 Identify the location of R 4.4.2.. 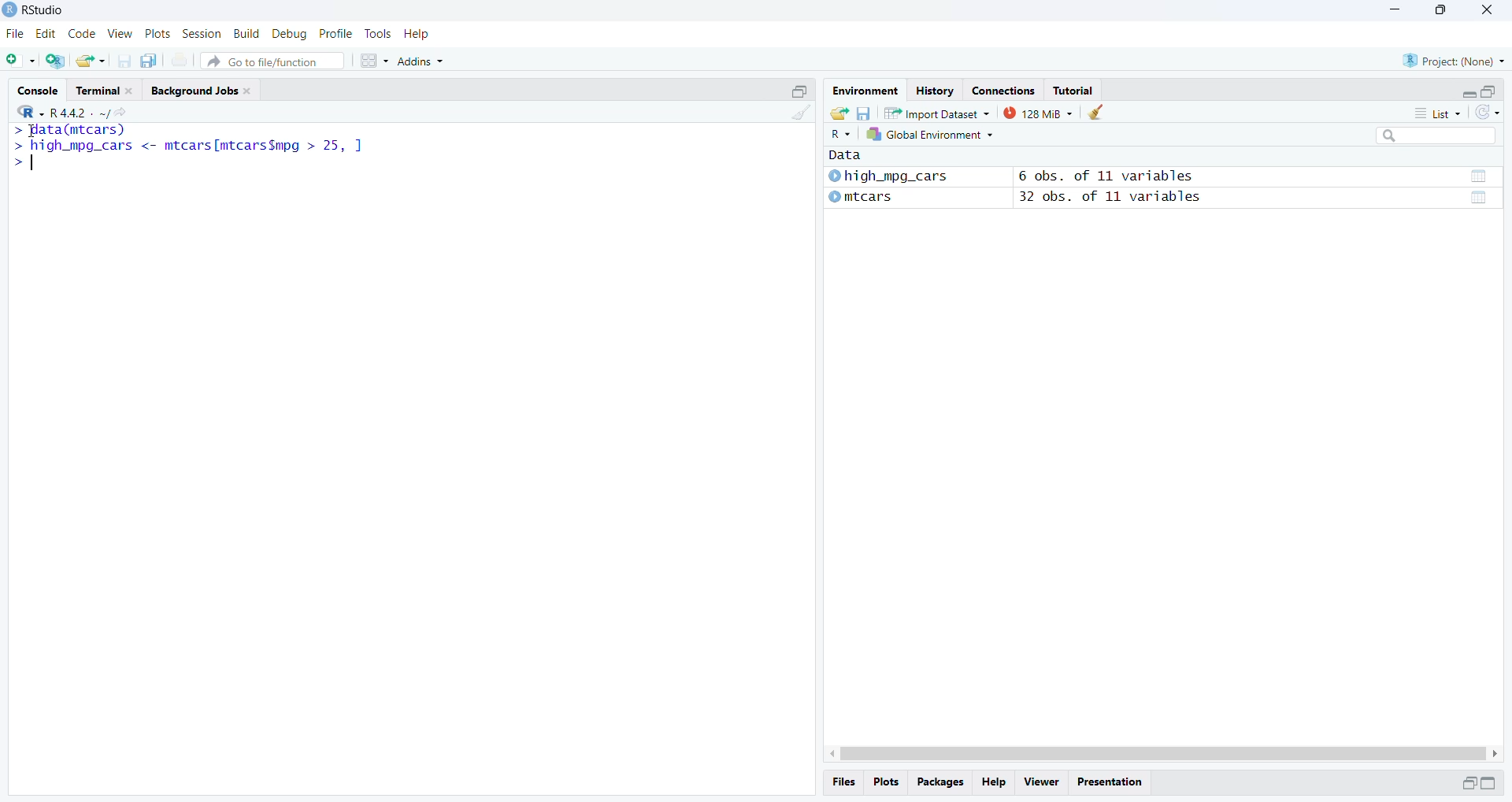
(55, 112).